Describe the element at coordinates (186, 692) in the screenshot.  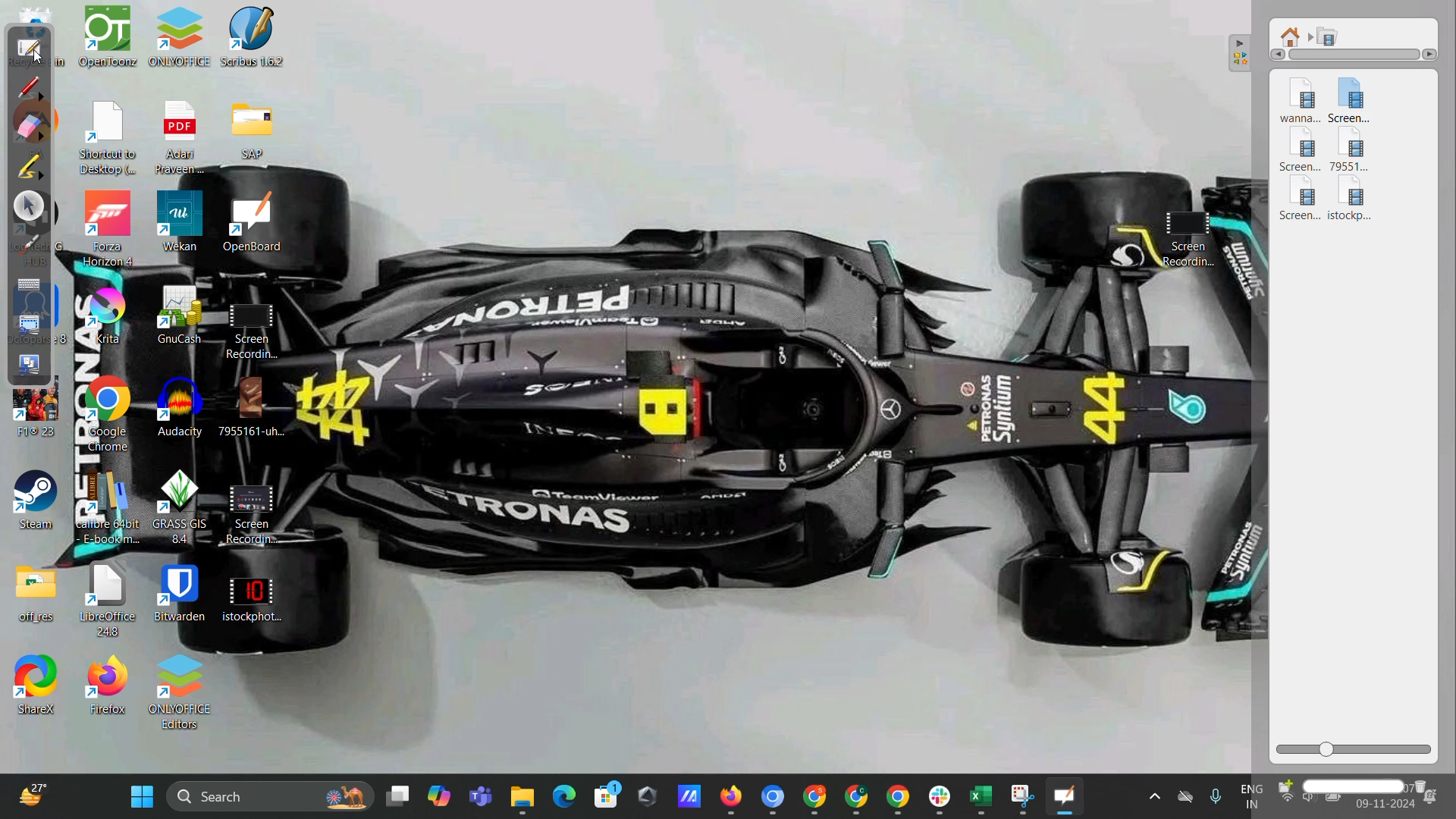
I see `Onlyoffice editors` at that location.